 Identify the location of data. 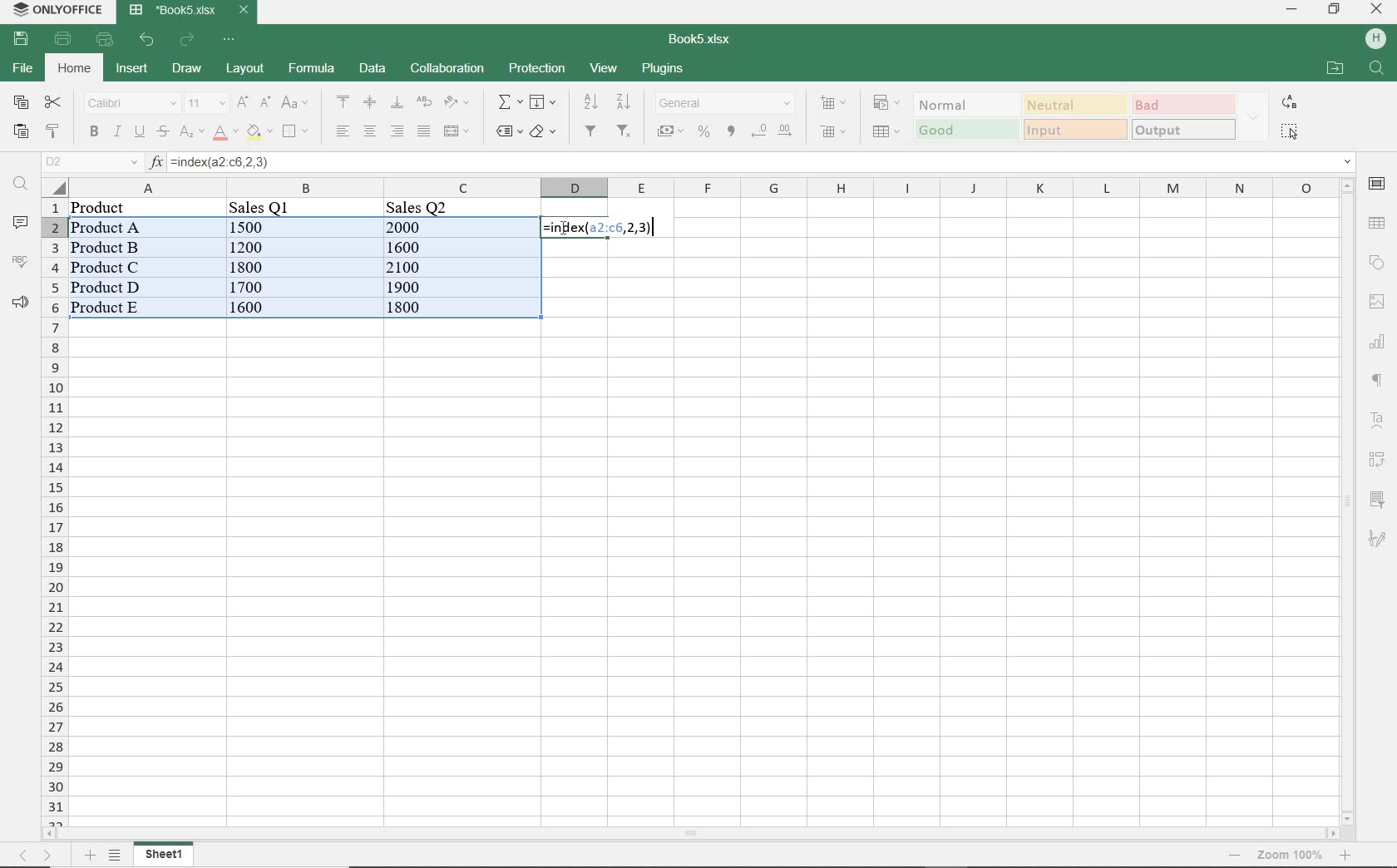
(370, 67).